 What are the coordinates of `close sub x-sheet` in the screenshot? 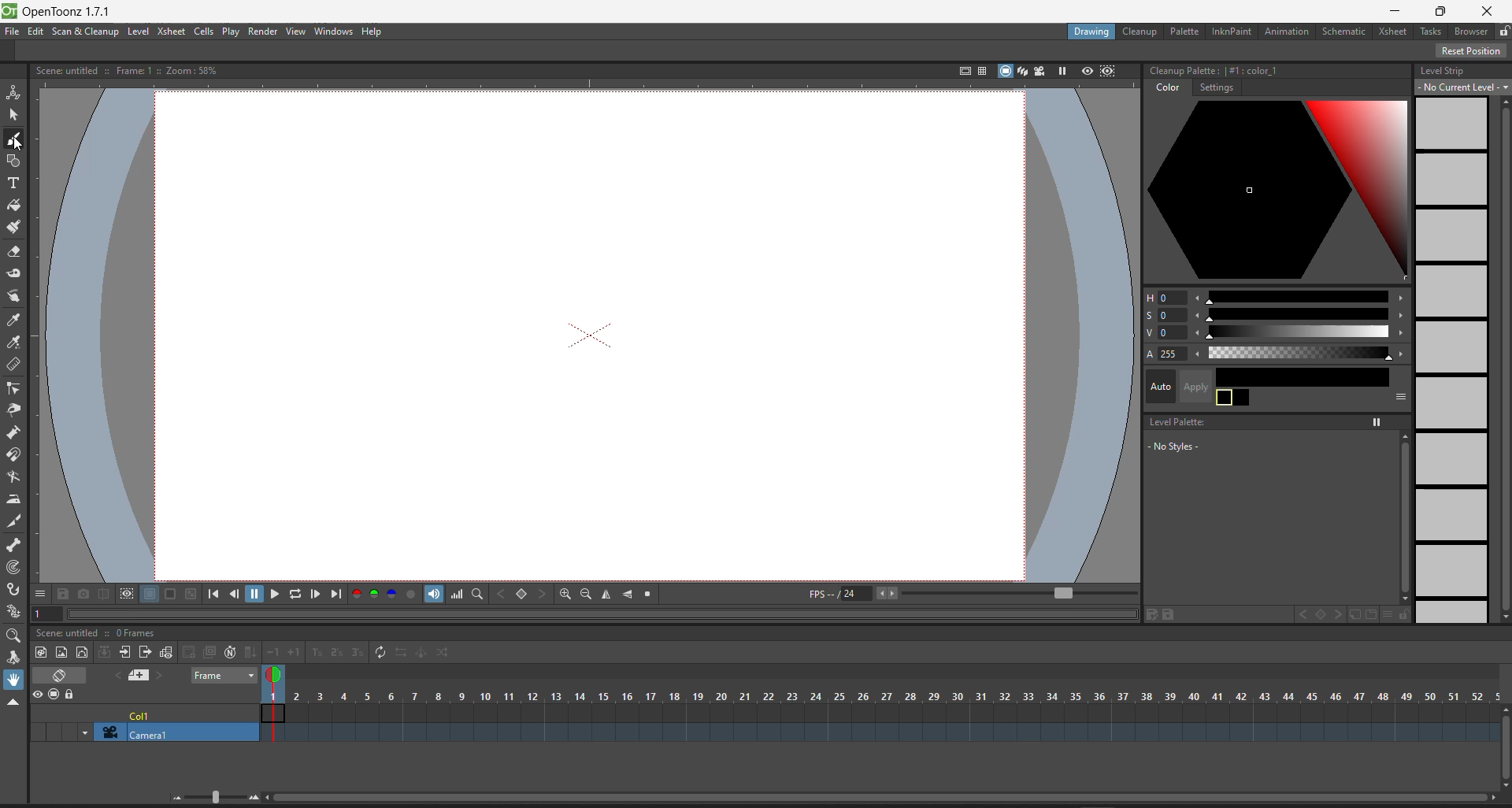 It's located at (145, 652).